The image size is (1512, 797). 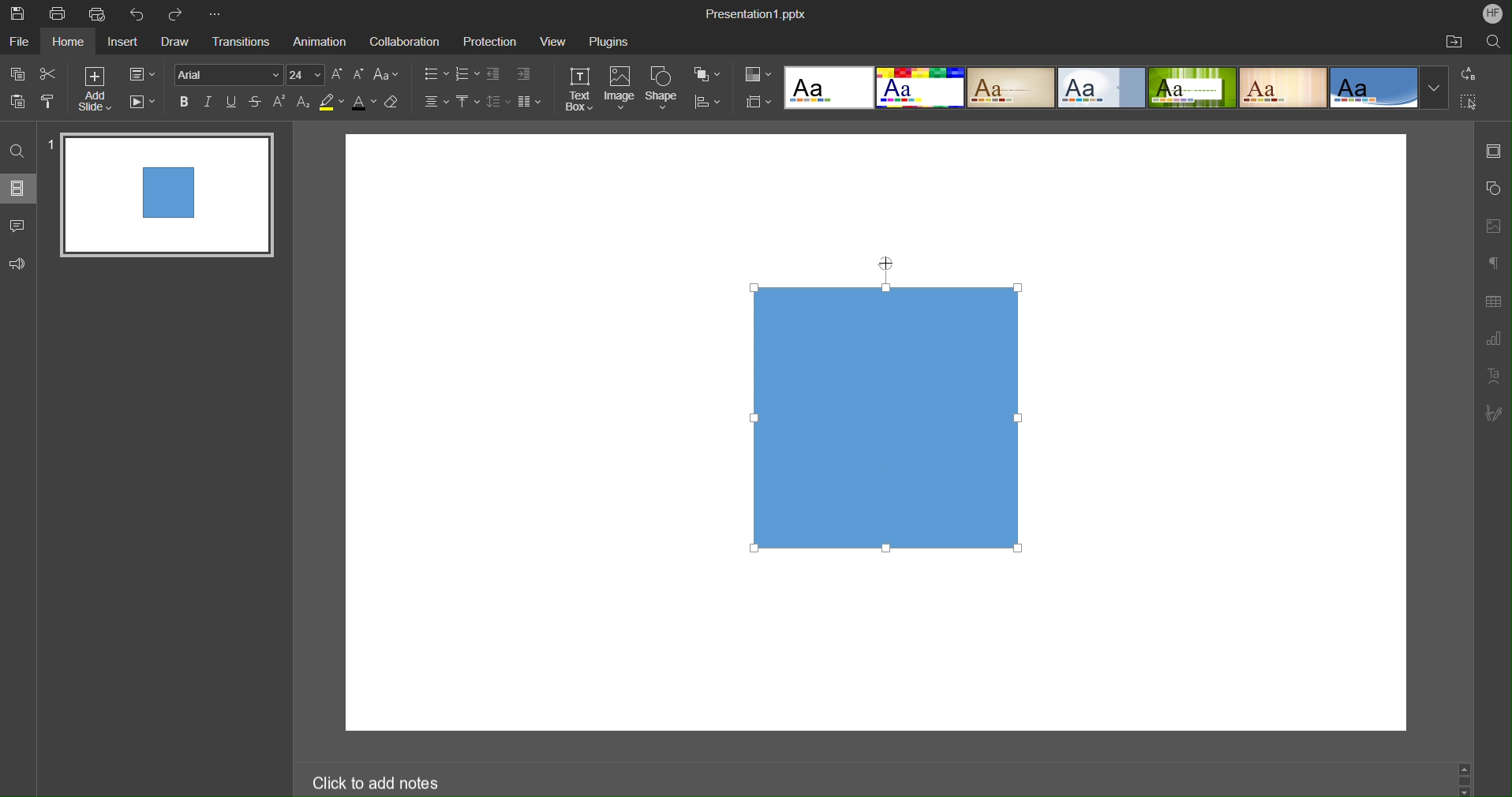 What do you see at coordinates (358, 76) in the screenshot?
I see `Decrease Font` at bounding box center [358, 76].